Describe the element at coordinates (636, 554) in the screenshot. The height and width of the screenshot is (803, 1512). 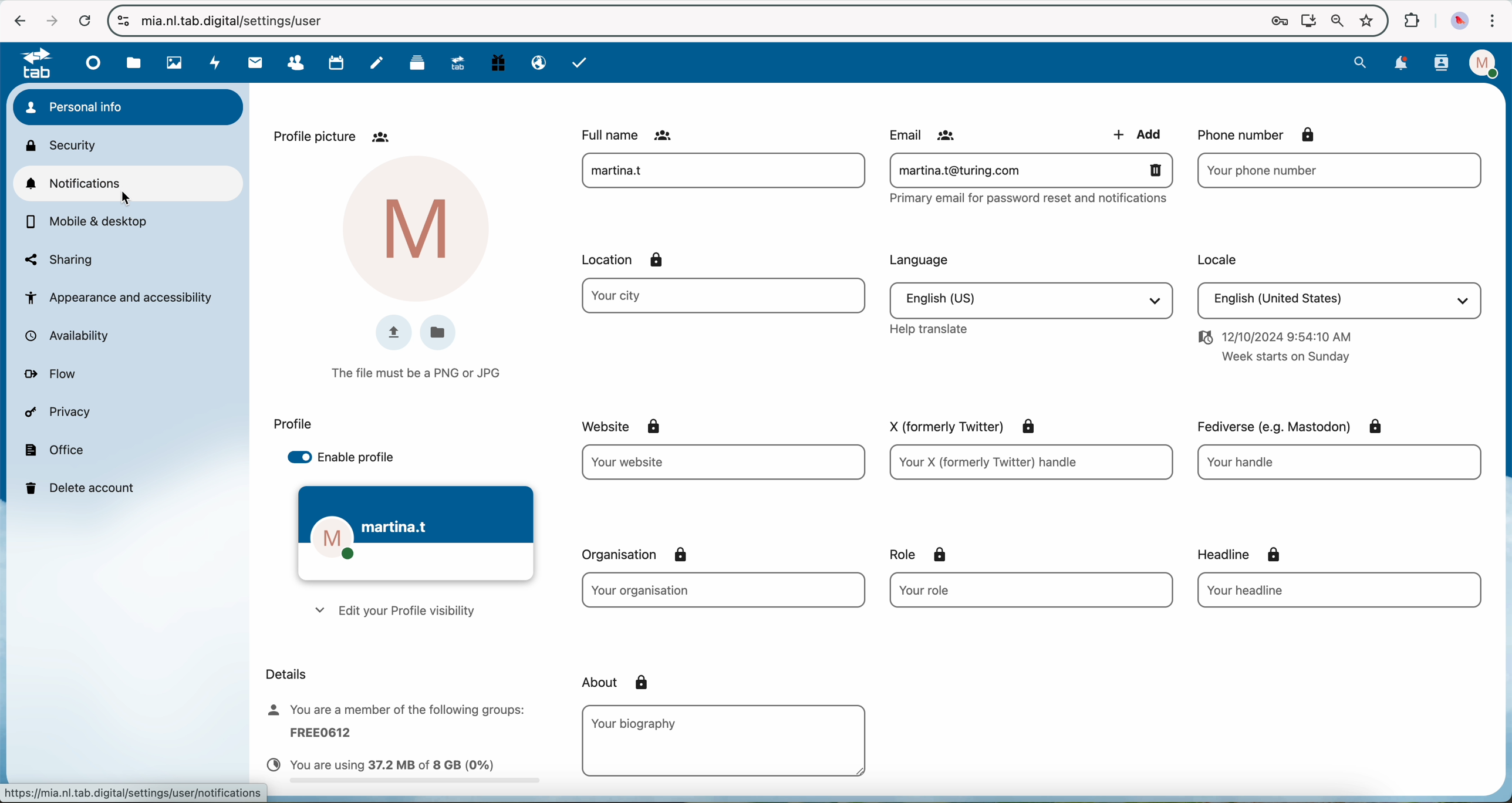
I see `organisation` at that location.